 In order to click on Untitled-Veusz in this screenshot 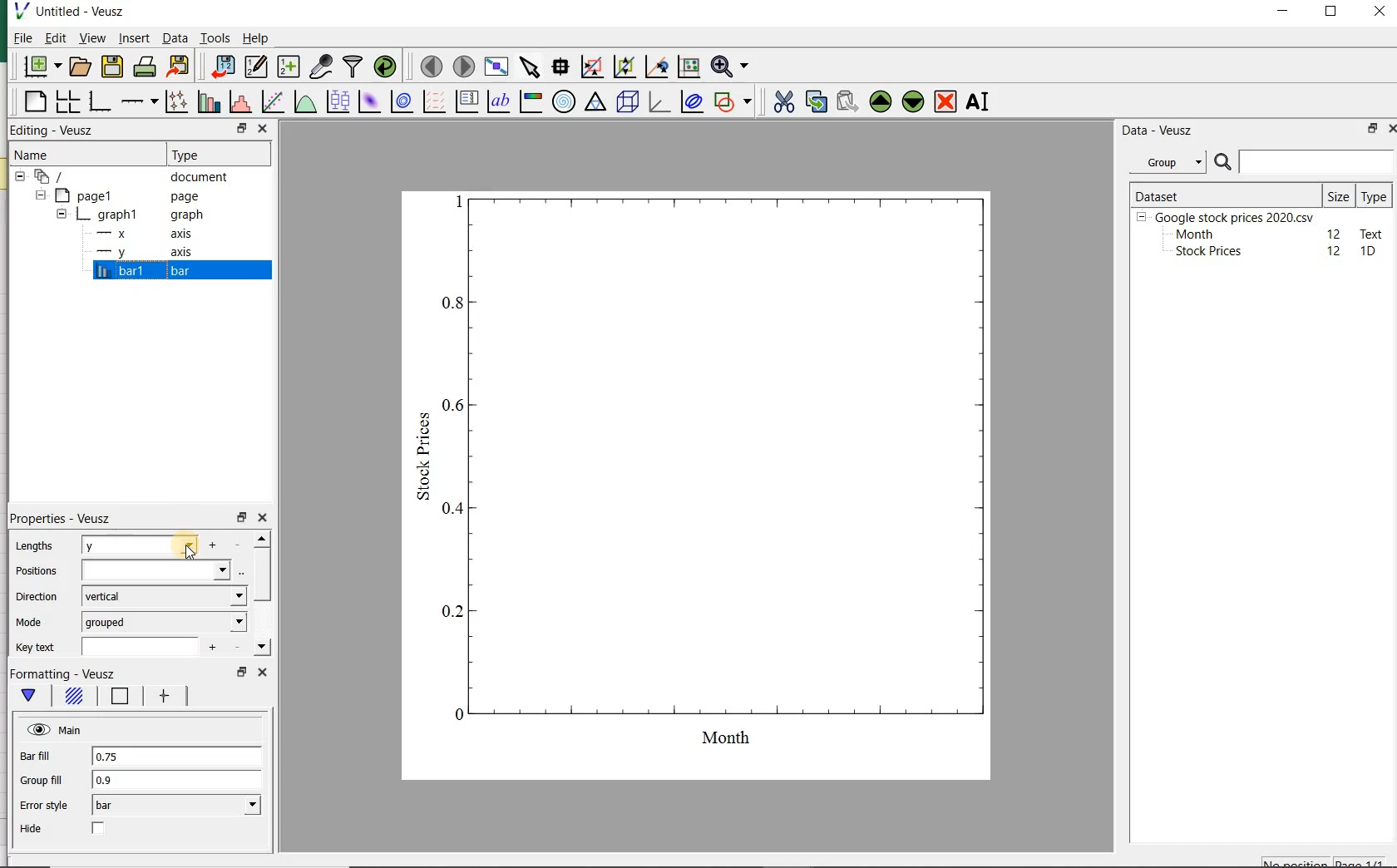, I will do `click(77, 12)`.